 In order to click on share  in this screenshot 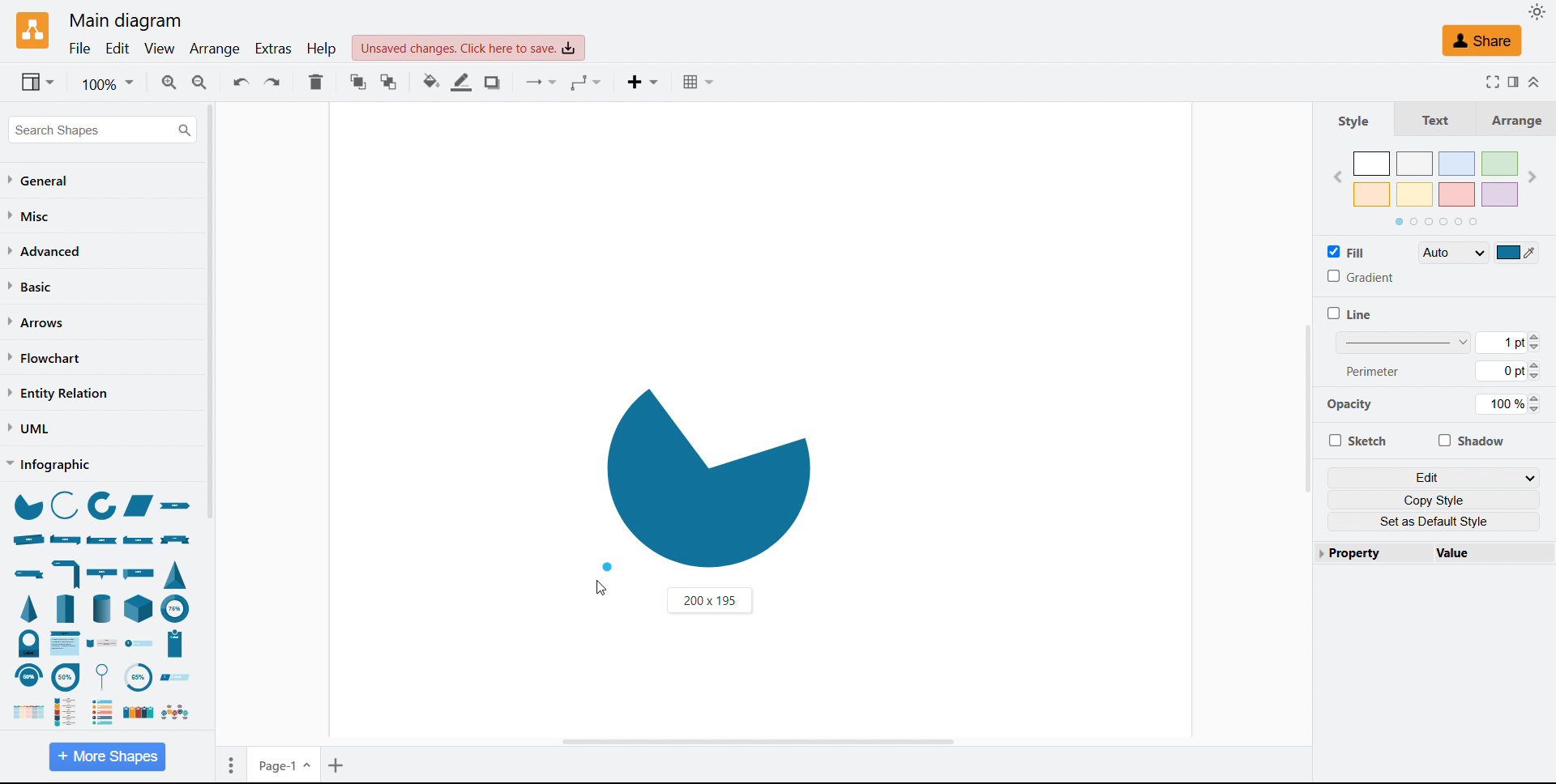, I will do `click(1481, 40)`.